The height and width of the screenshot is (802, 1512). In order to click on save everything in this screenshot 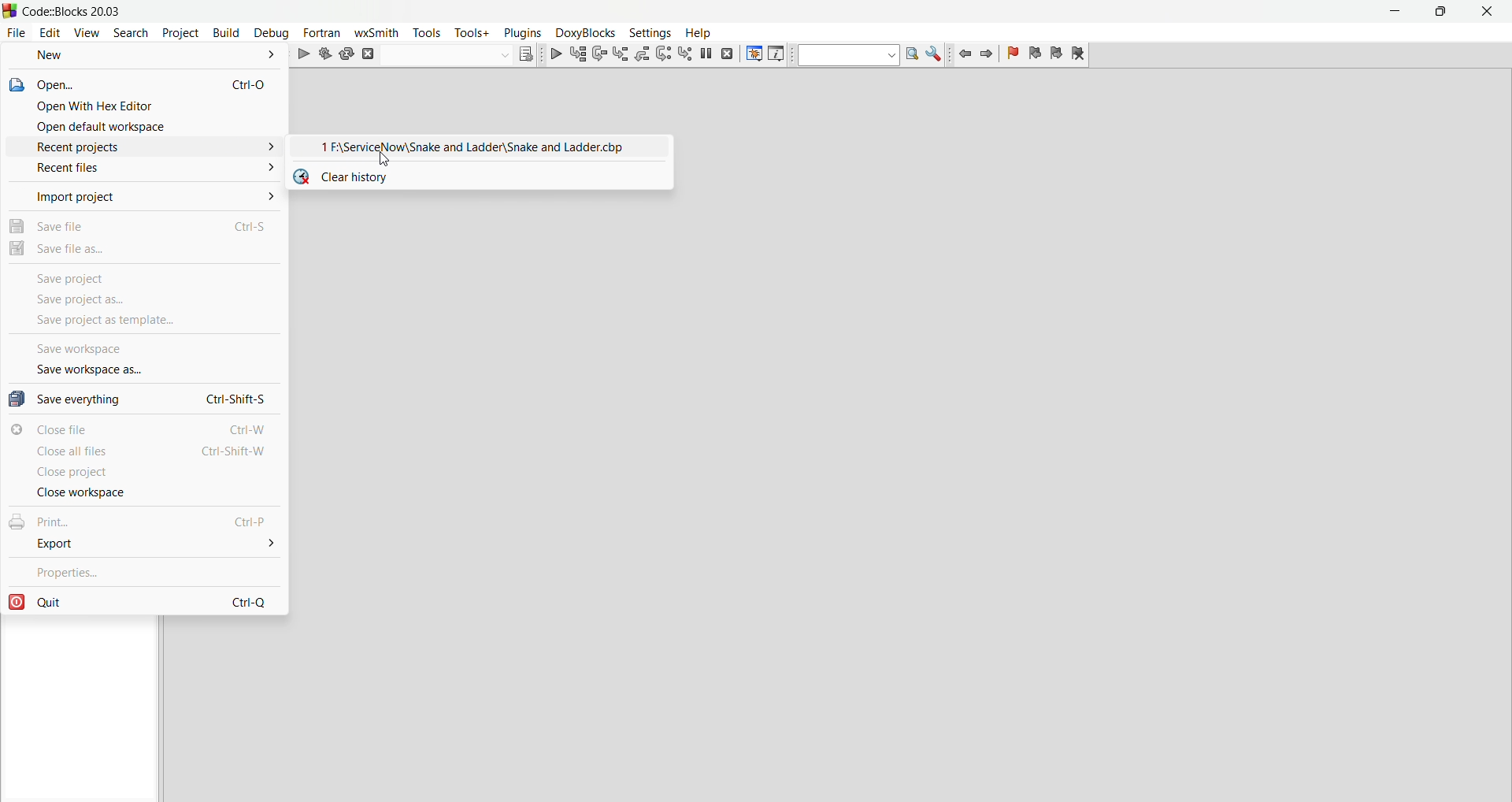, I will do `click(145, 396)`.